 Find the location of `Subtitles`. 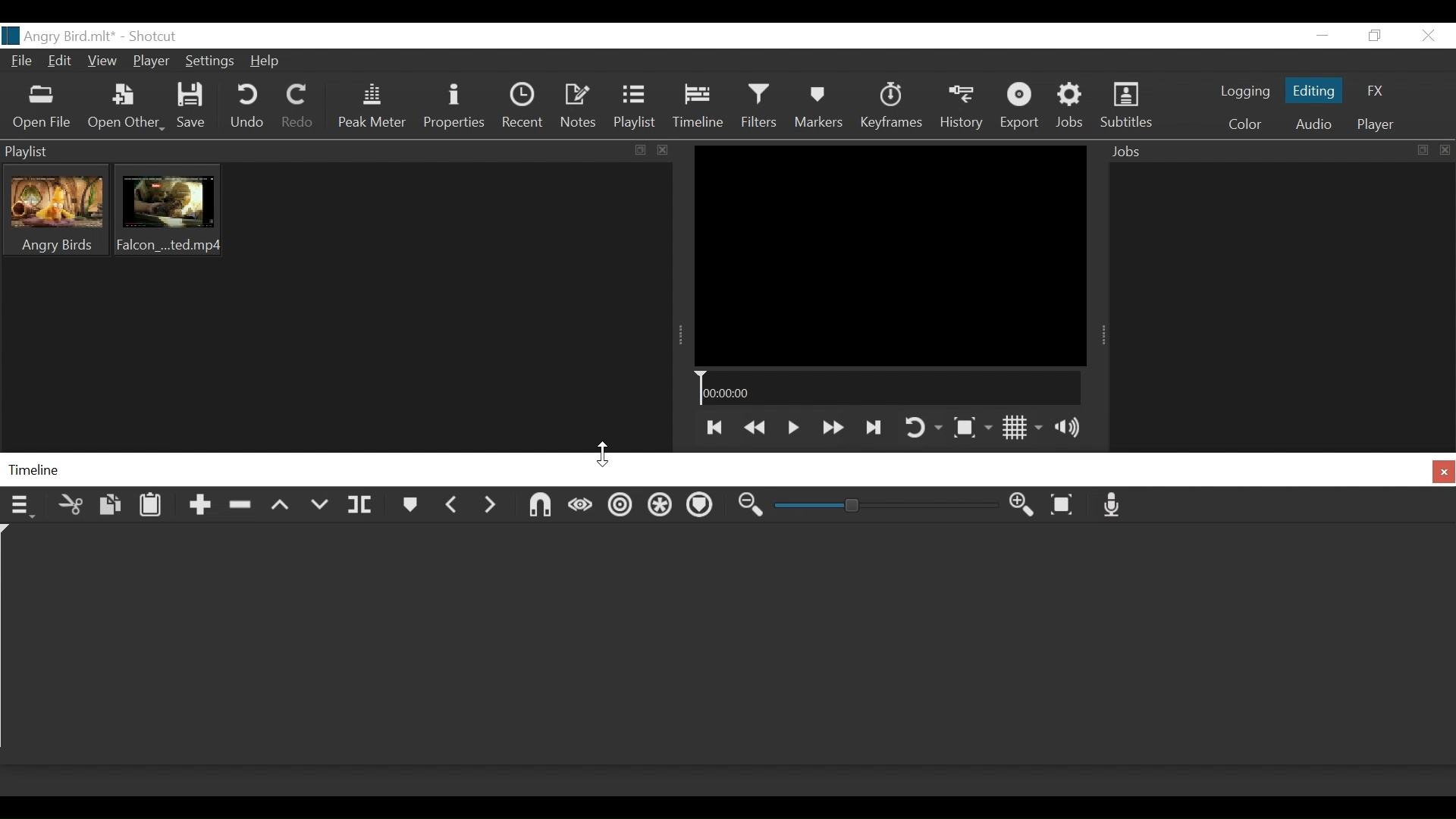

Subtitles is located at coordinates (1129, 106).